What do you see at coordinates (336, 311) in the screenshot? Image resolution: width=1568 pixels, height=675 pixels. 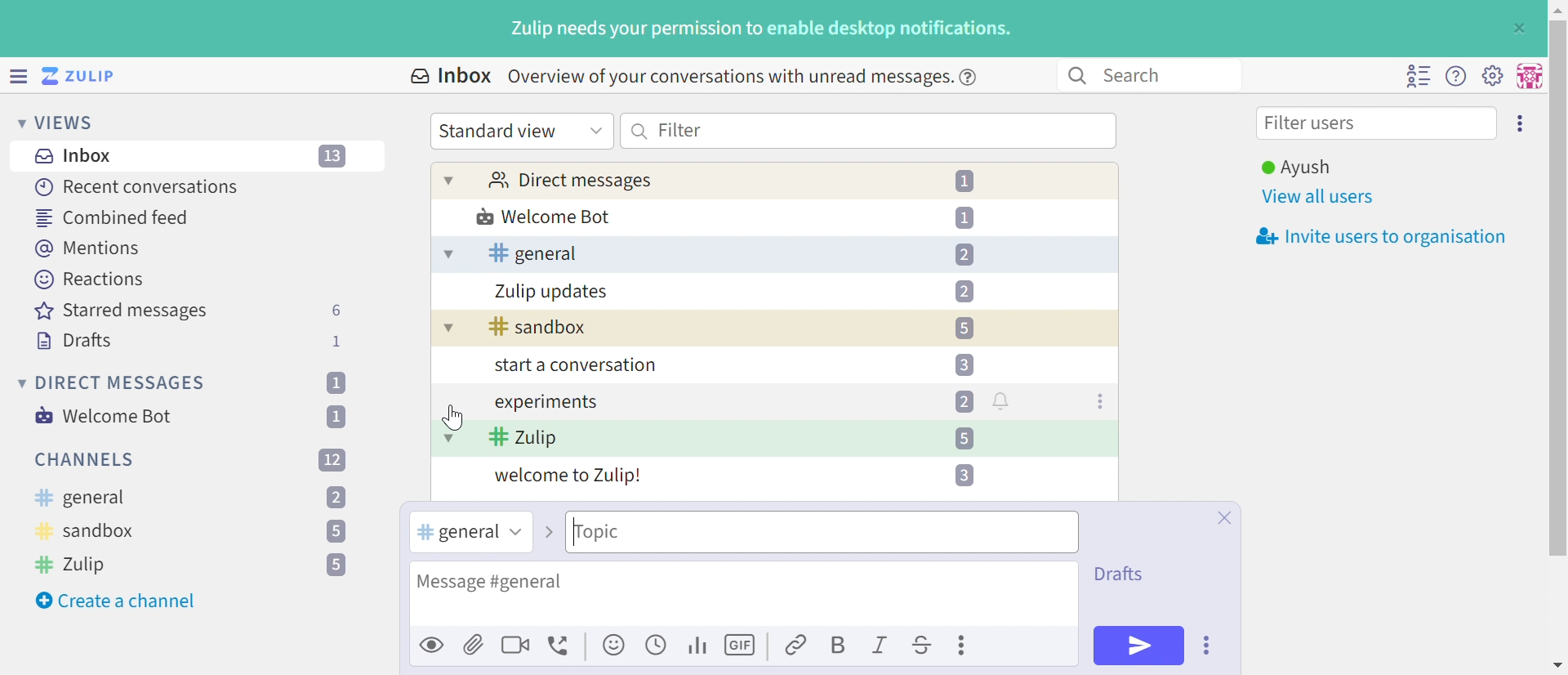 I see `6` at bounding box center [336, 311].